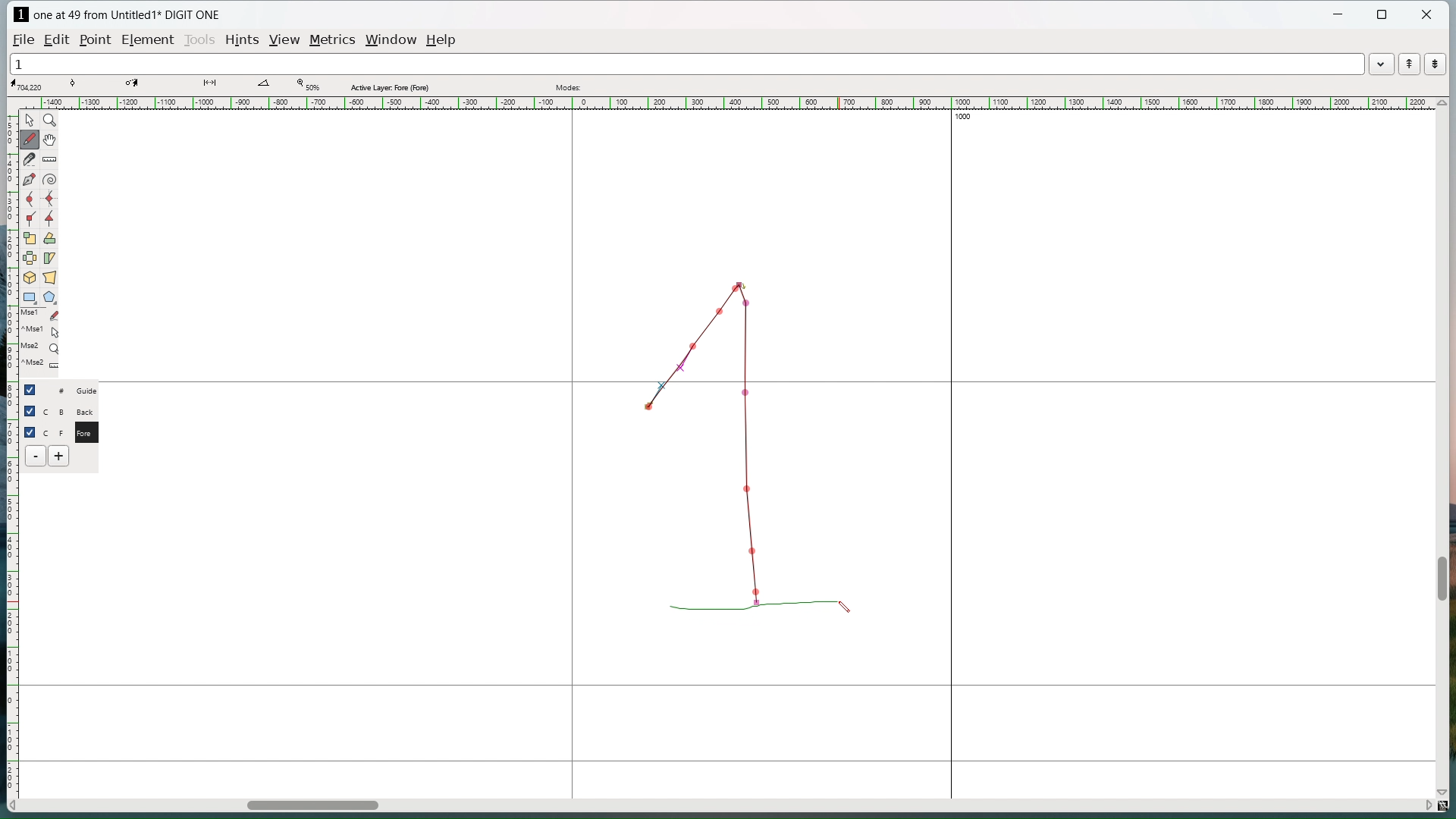  What do you see at coordinates (33, 389) in the screenshot?
I see `checkbox` at bounding box center [33, 389].